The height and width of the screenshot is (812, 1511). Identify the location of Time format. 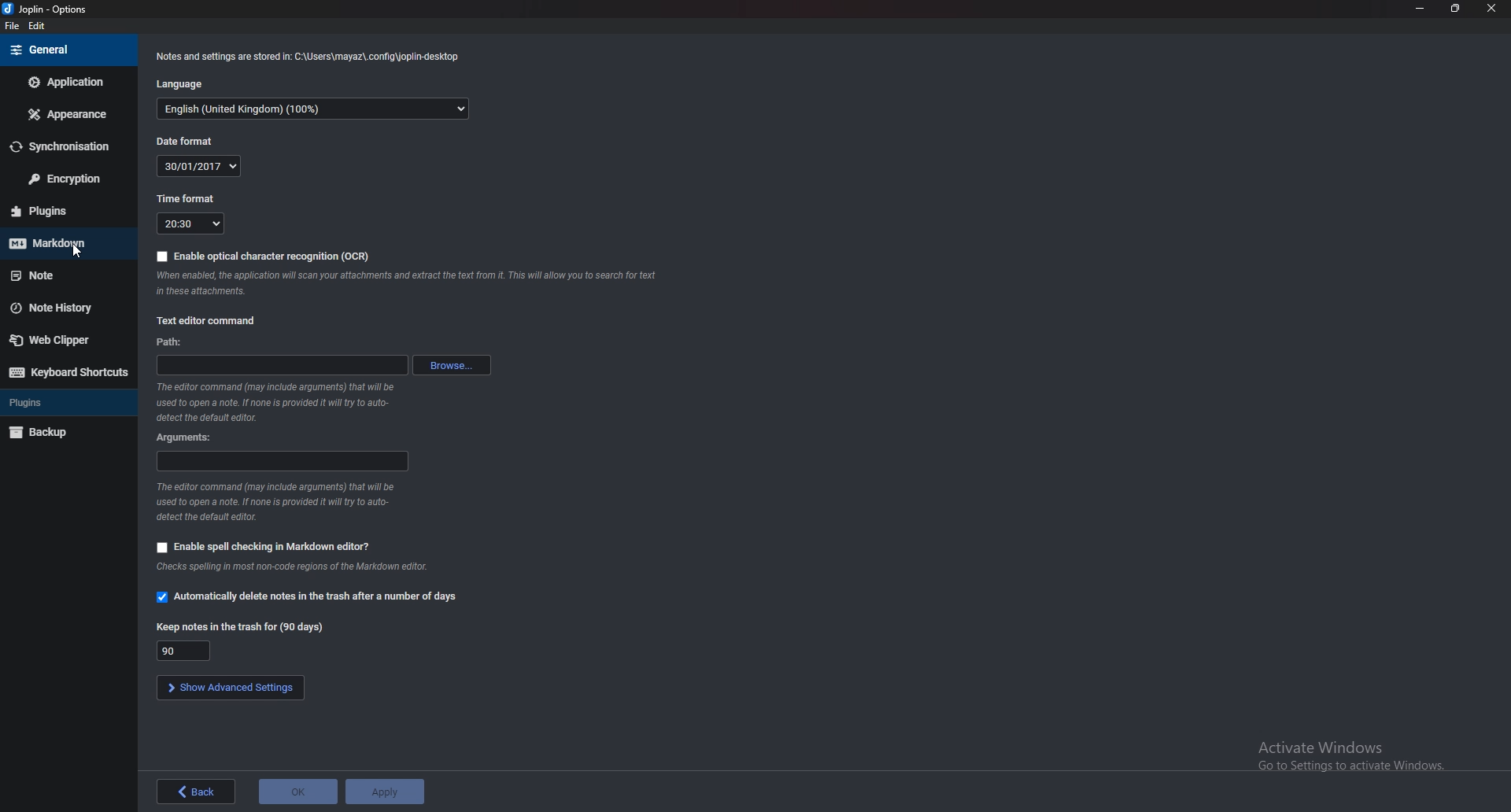
(192, 198).